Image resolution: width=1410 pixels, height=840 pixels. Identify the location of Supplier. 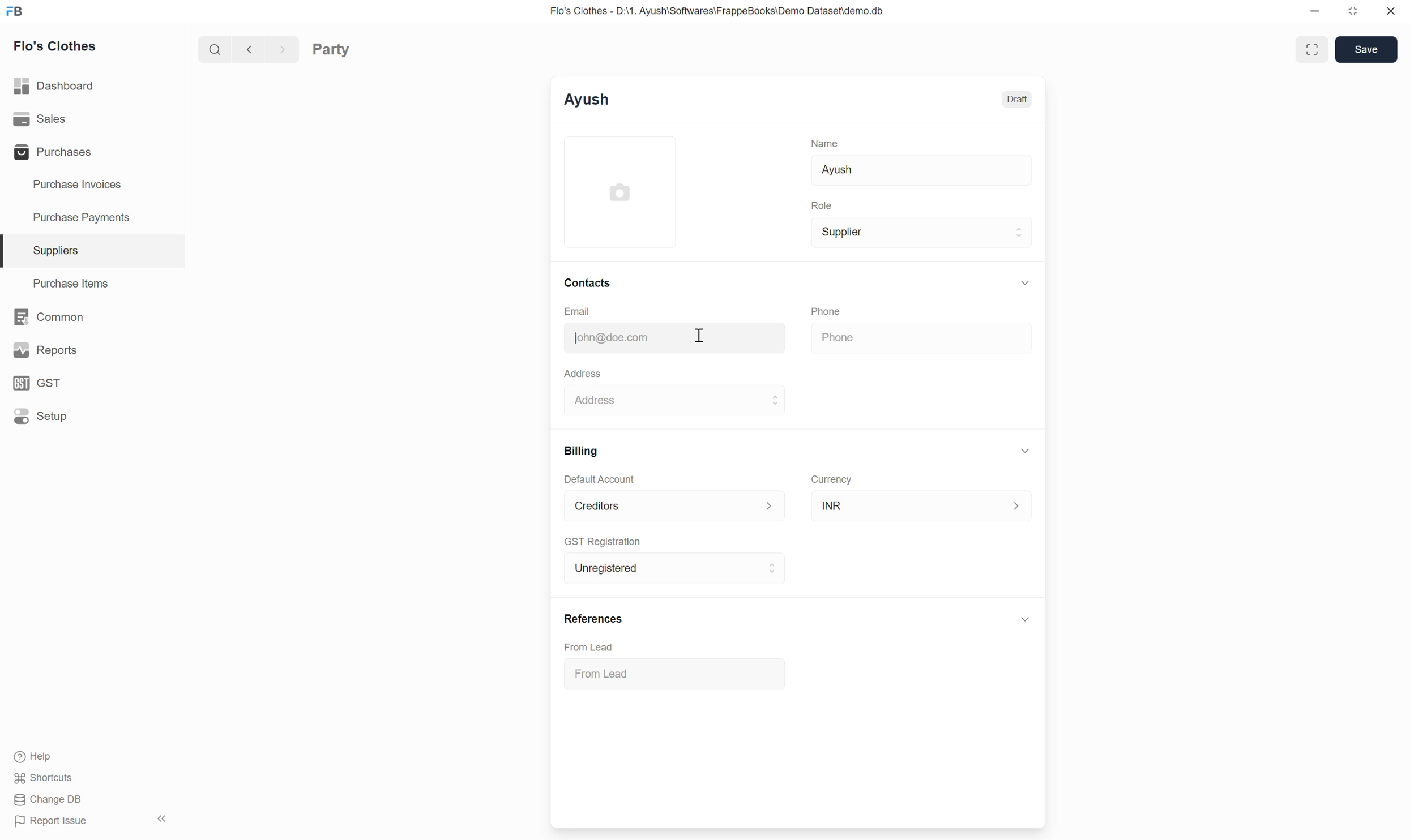
(921, 232).